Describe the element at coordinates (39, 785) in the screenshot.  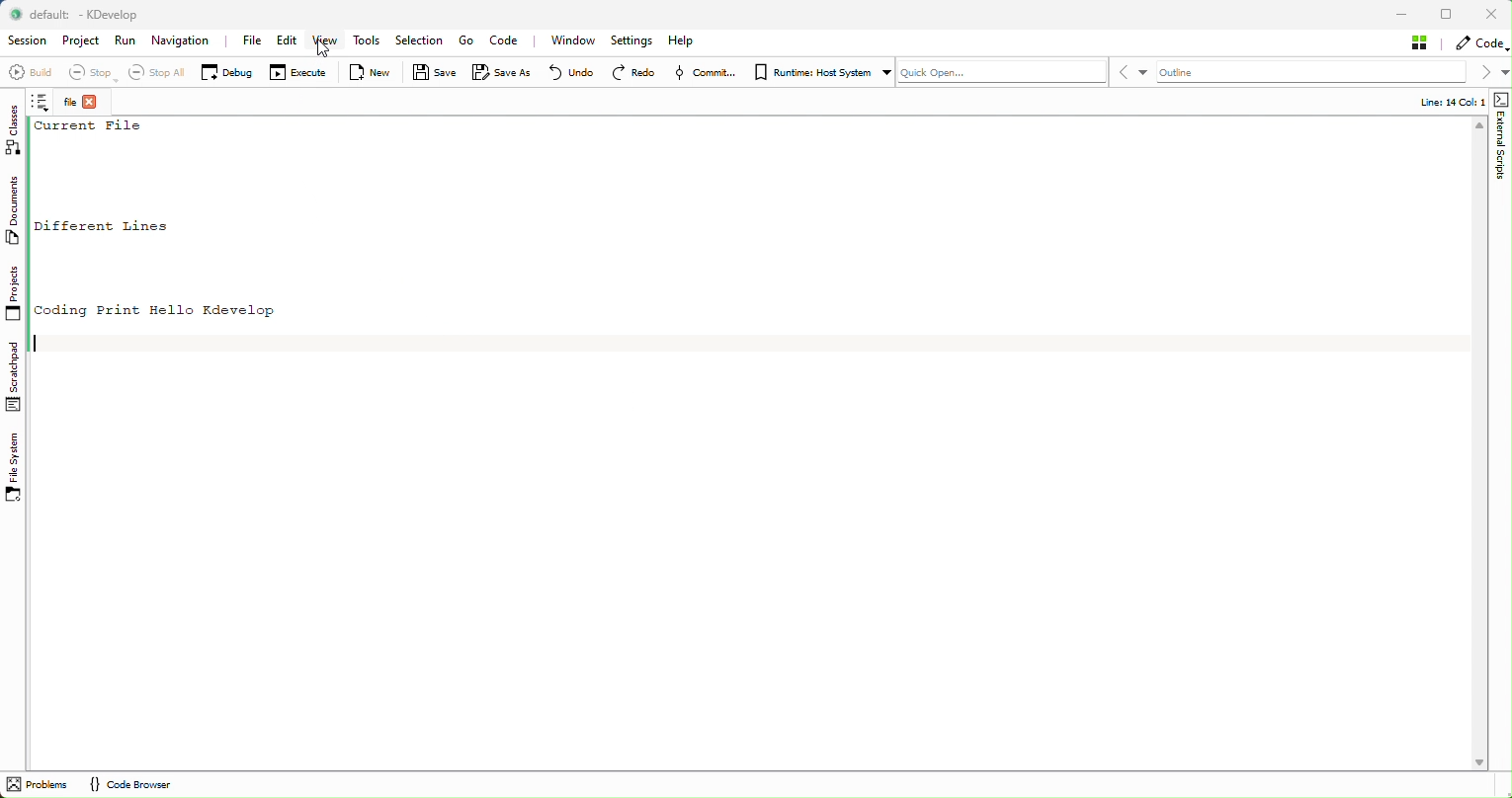
I see `Problems` at that location.